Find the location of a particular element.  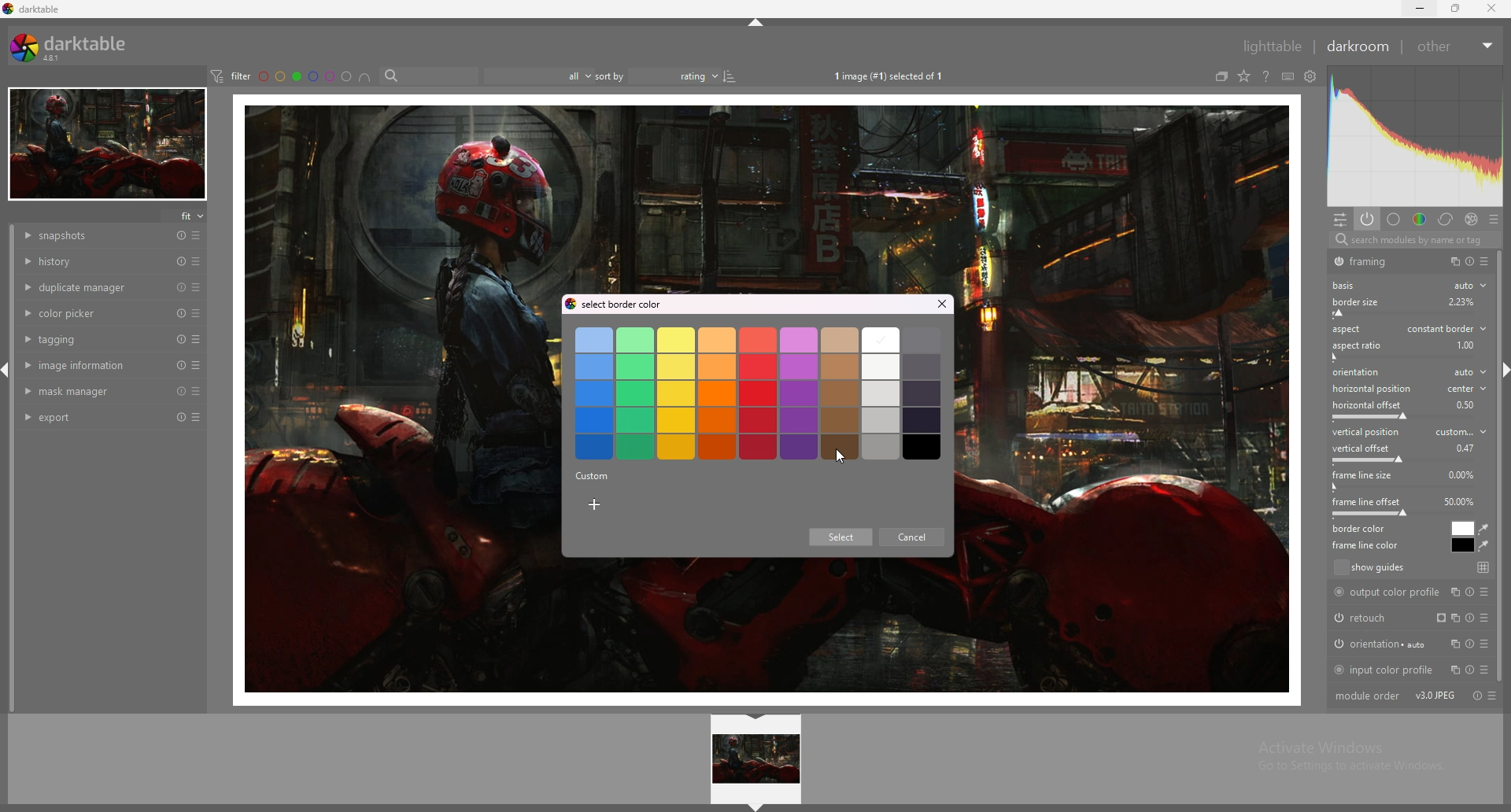

mask manager is located at coordinates (94, 391).